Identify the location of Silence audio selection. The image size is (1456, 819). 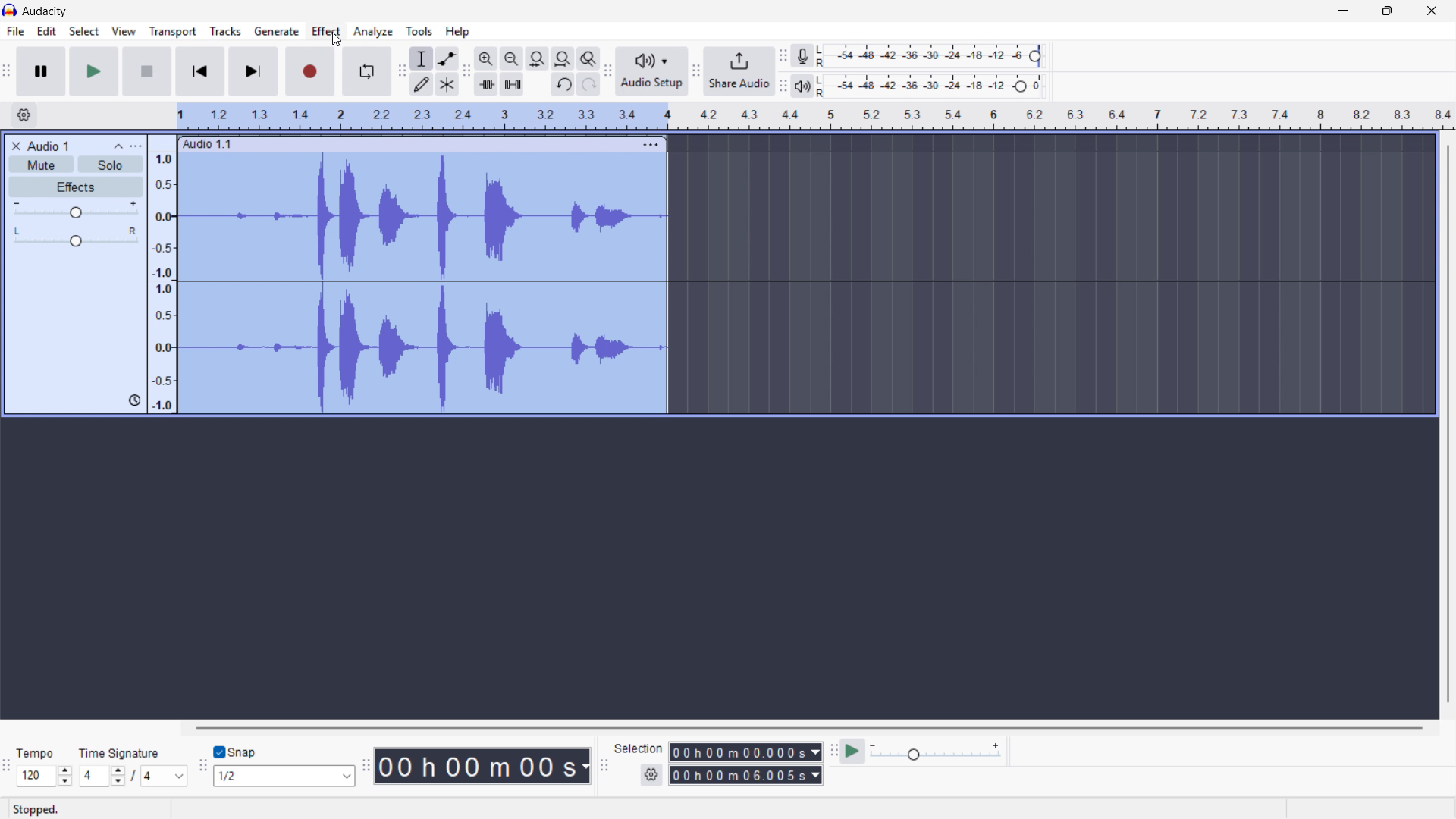
(513, 84).